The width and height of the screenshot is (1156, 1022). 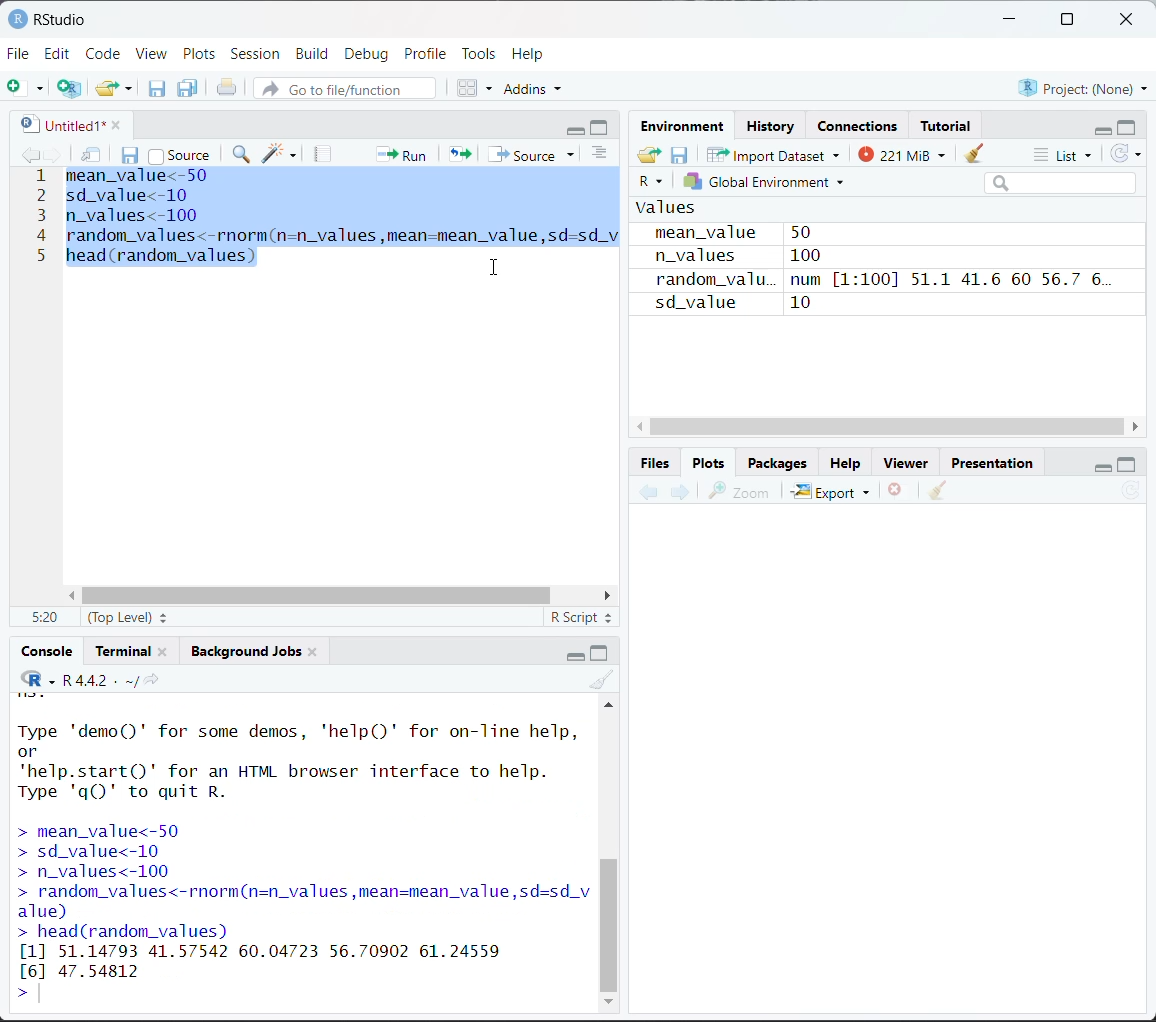 What do you see at coordinates (774, 154) in the screenshot?
I see `Import Dataset` at bounding box center [774, 154].